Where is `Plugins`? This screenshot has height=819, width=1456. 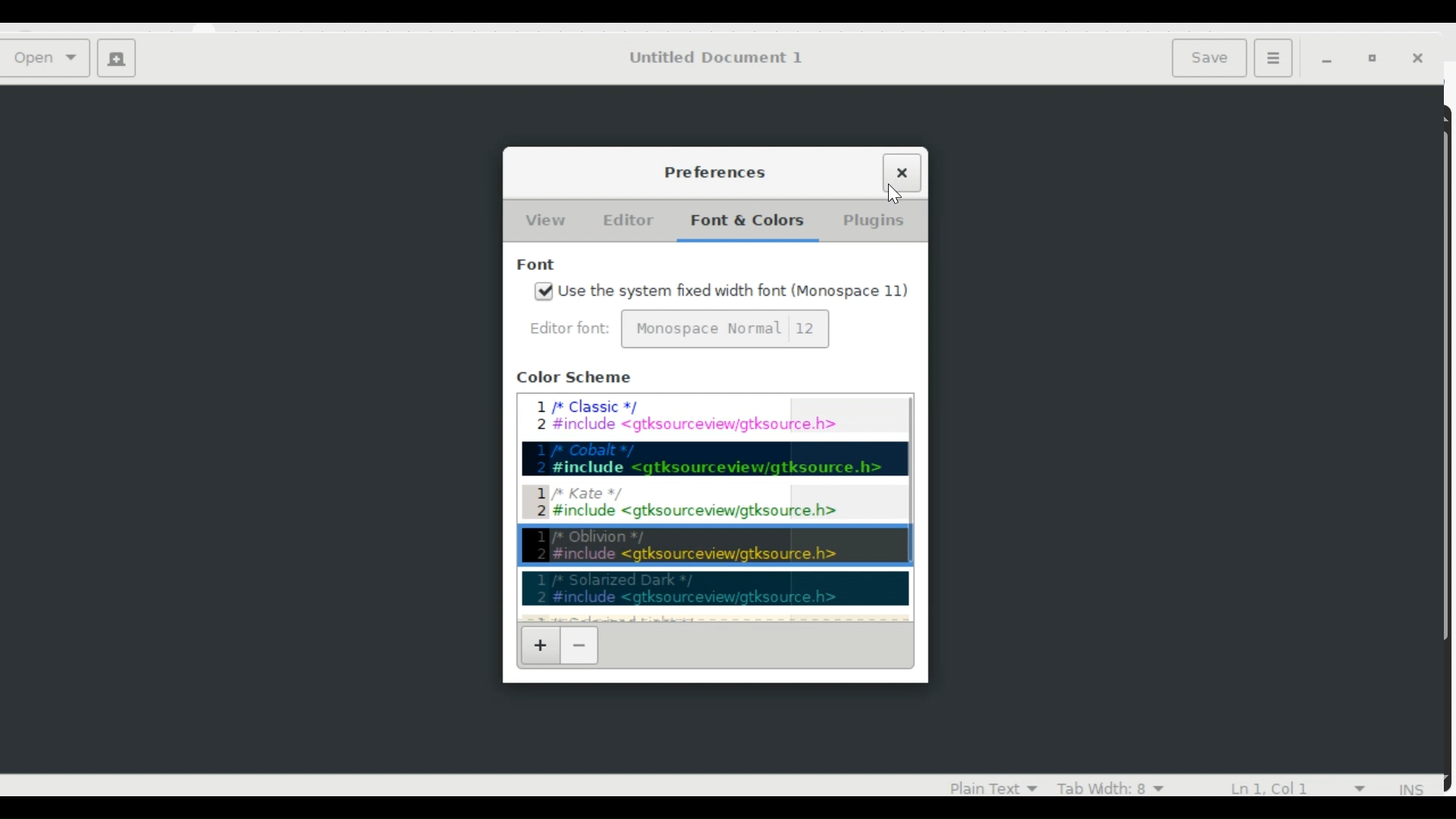 Plugins is located at coordinates (873, 222).